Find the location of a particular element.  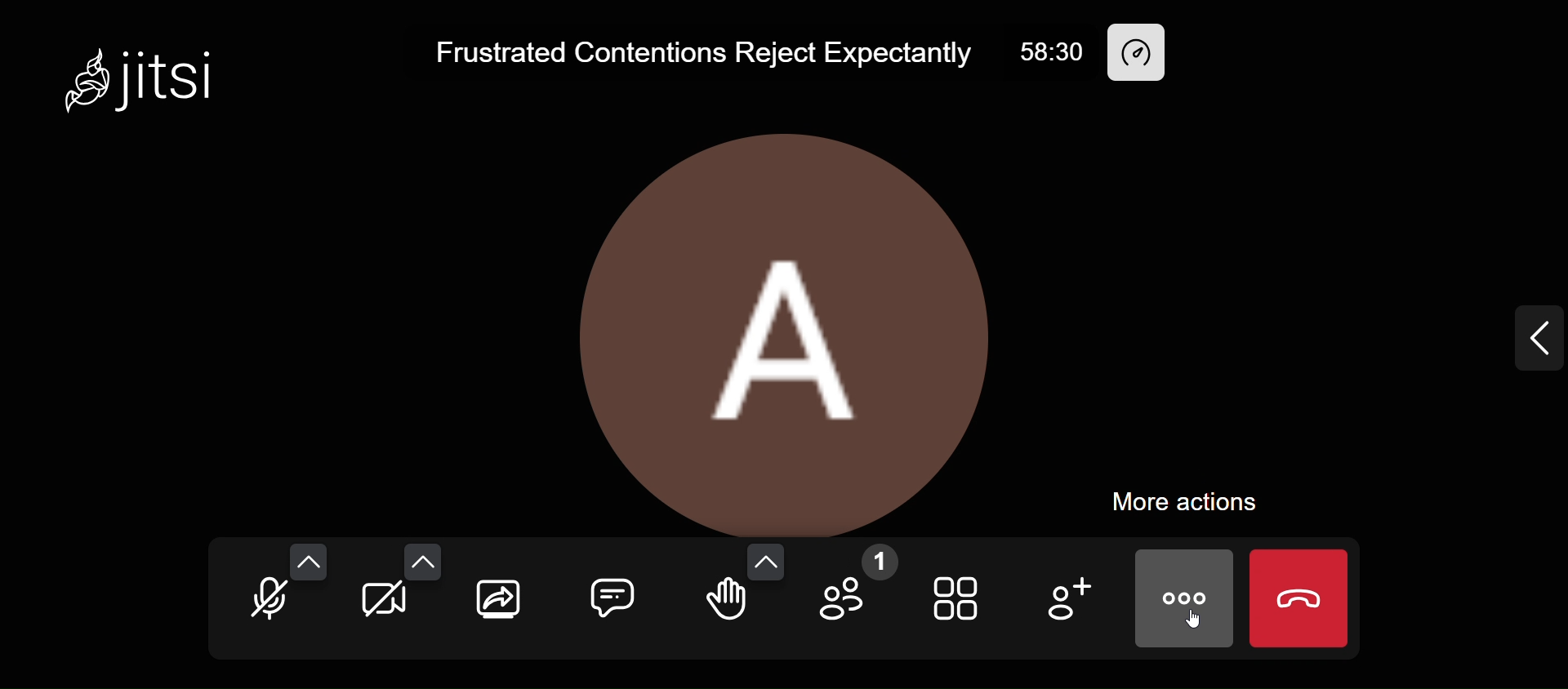

end call is located at coordinates (1306, 598).